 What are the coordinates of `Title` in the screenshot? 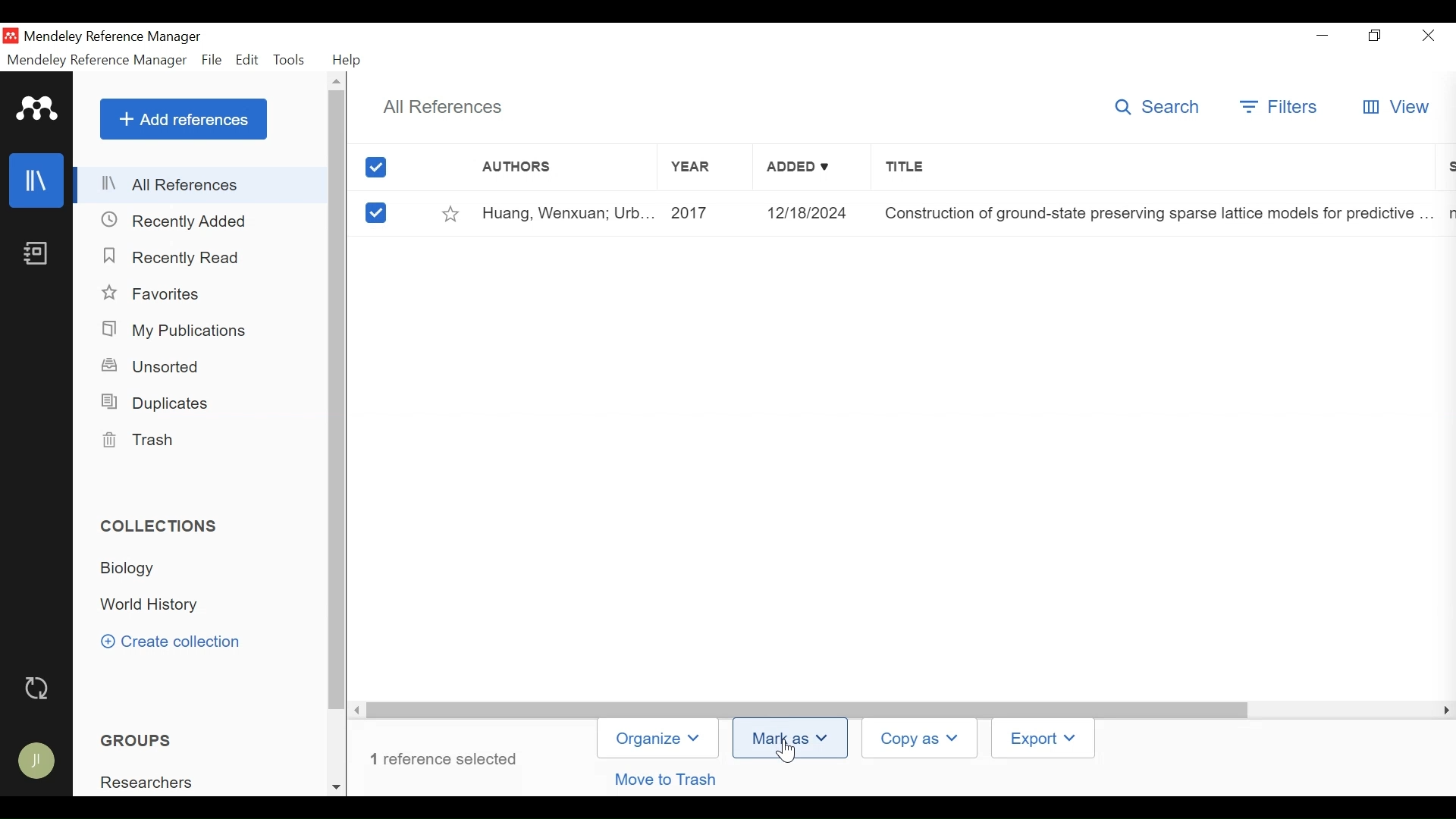 It's located at (1158, 170).